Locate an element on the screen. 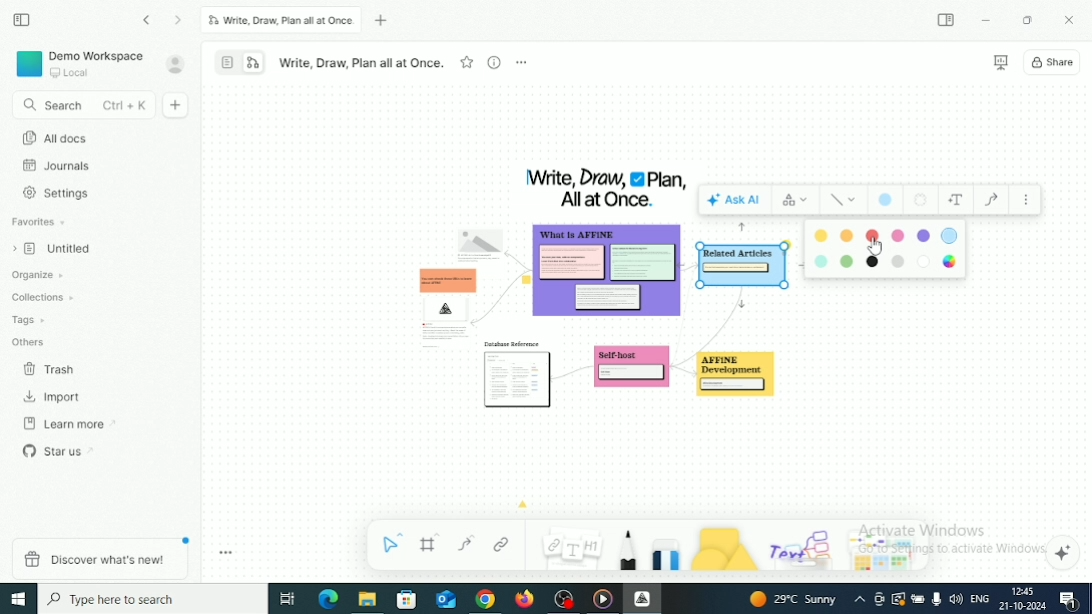 The height and width of the screenshot is (614, 1092). Yellow is located at coordinates (848, 235).